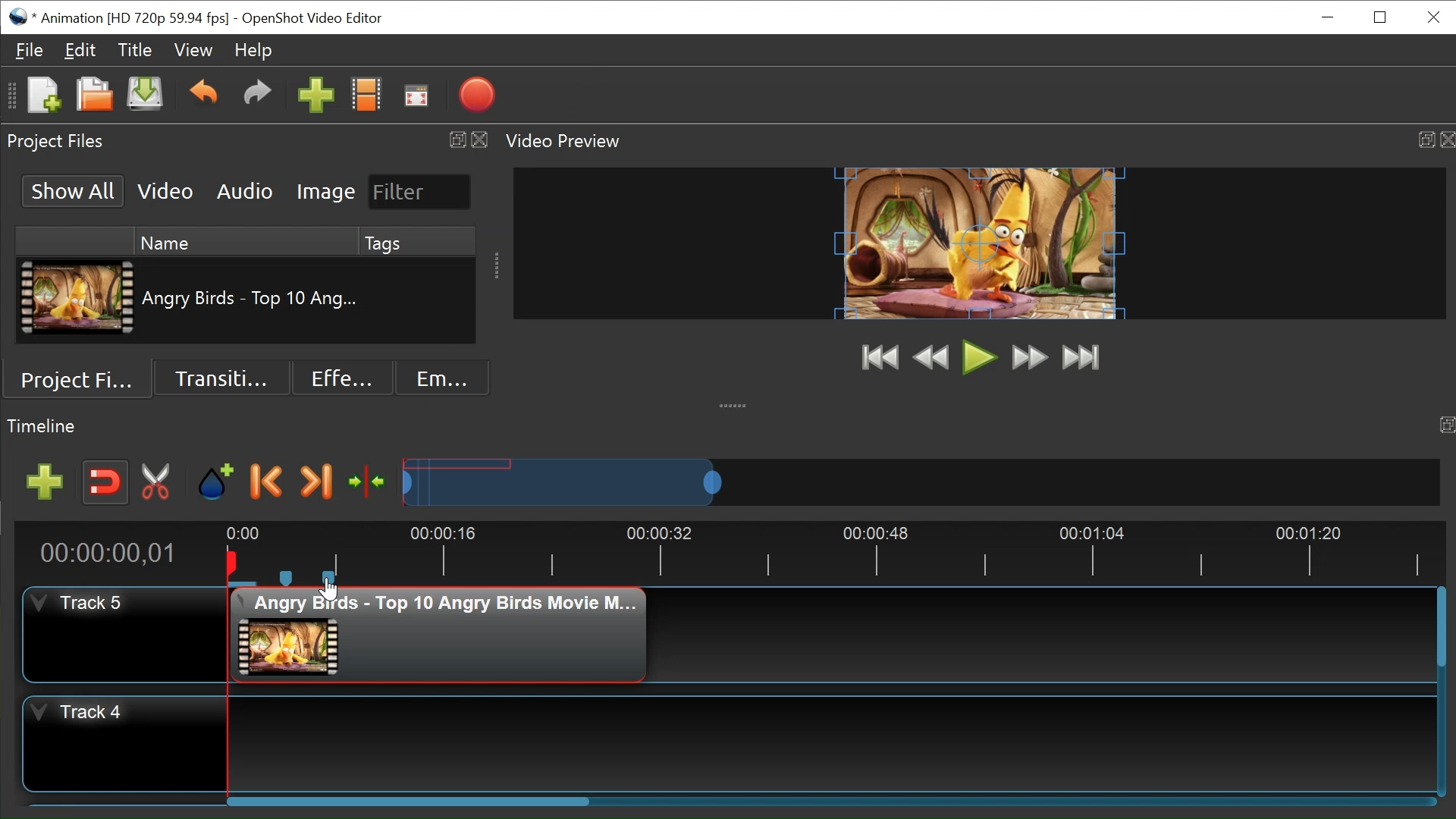  What do you see at coordinates (133, 19) in the screenshot?
I see `Project Name` at bounding box center [133, 19].